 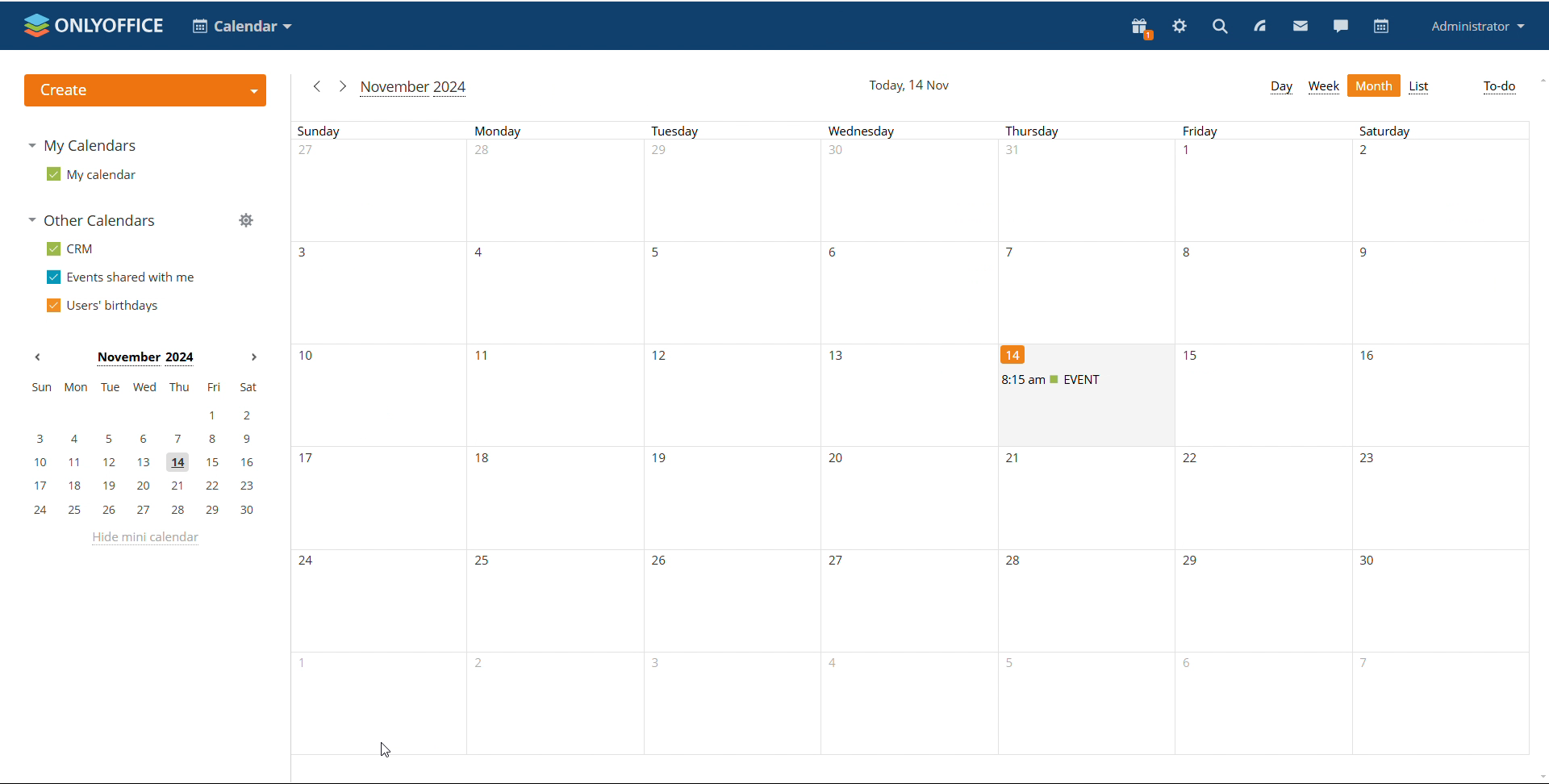 I want to click on cursor, so click(x=382, y=751).